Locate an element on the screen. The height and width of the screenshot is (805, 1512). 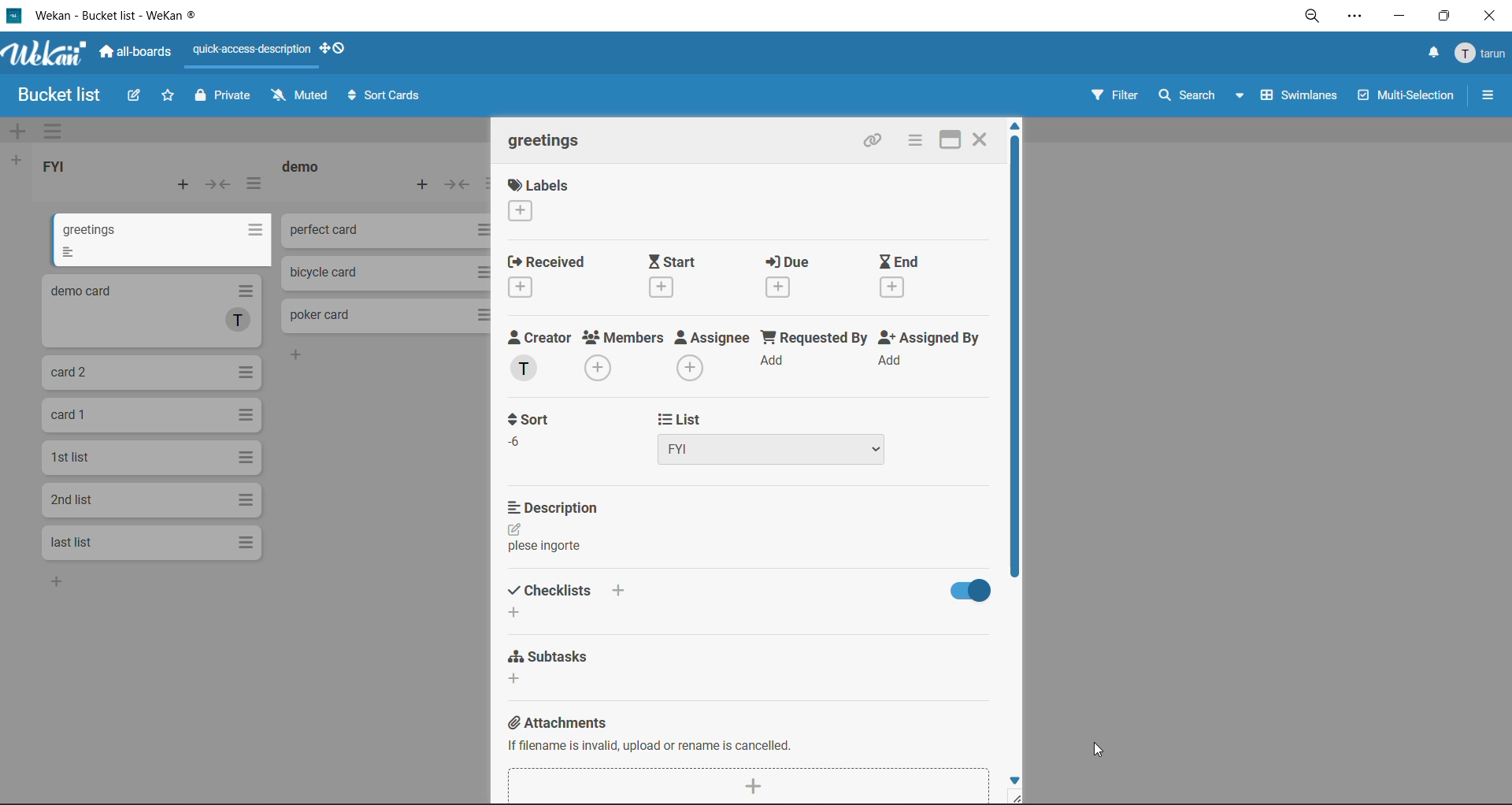
add is located at coordinates (59, 581).